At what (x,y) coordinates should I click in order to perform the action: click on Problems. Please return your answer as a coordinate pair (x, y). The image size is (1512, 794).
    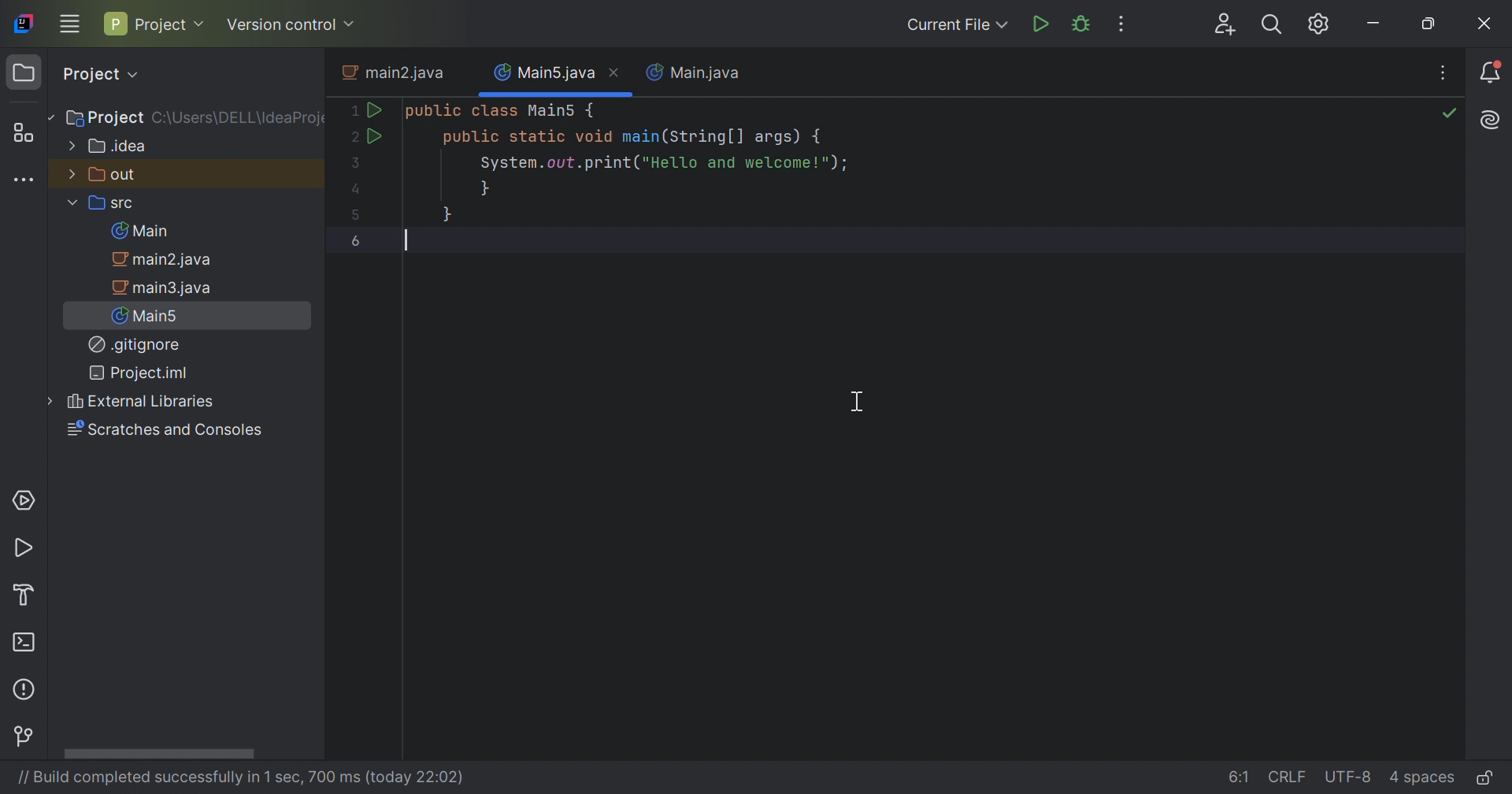
    Looking at the image, I should click on (27, 688).